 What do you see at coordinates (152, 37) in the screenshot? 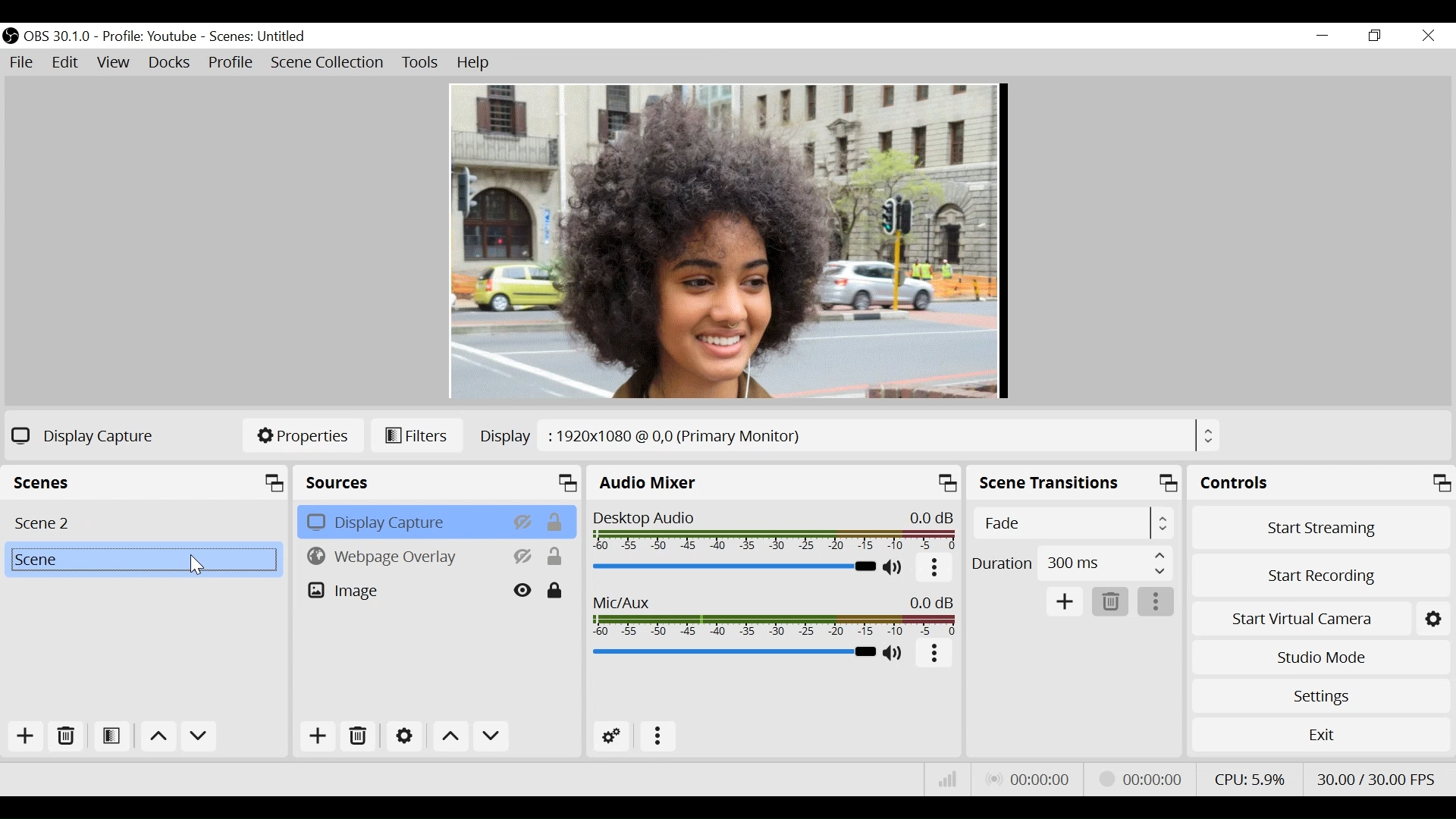
I see `Profile` at bounding box center [152, 37].